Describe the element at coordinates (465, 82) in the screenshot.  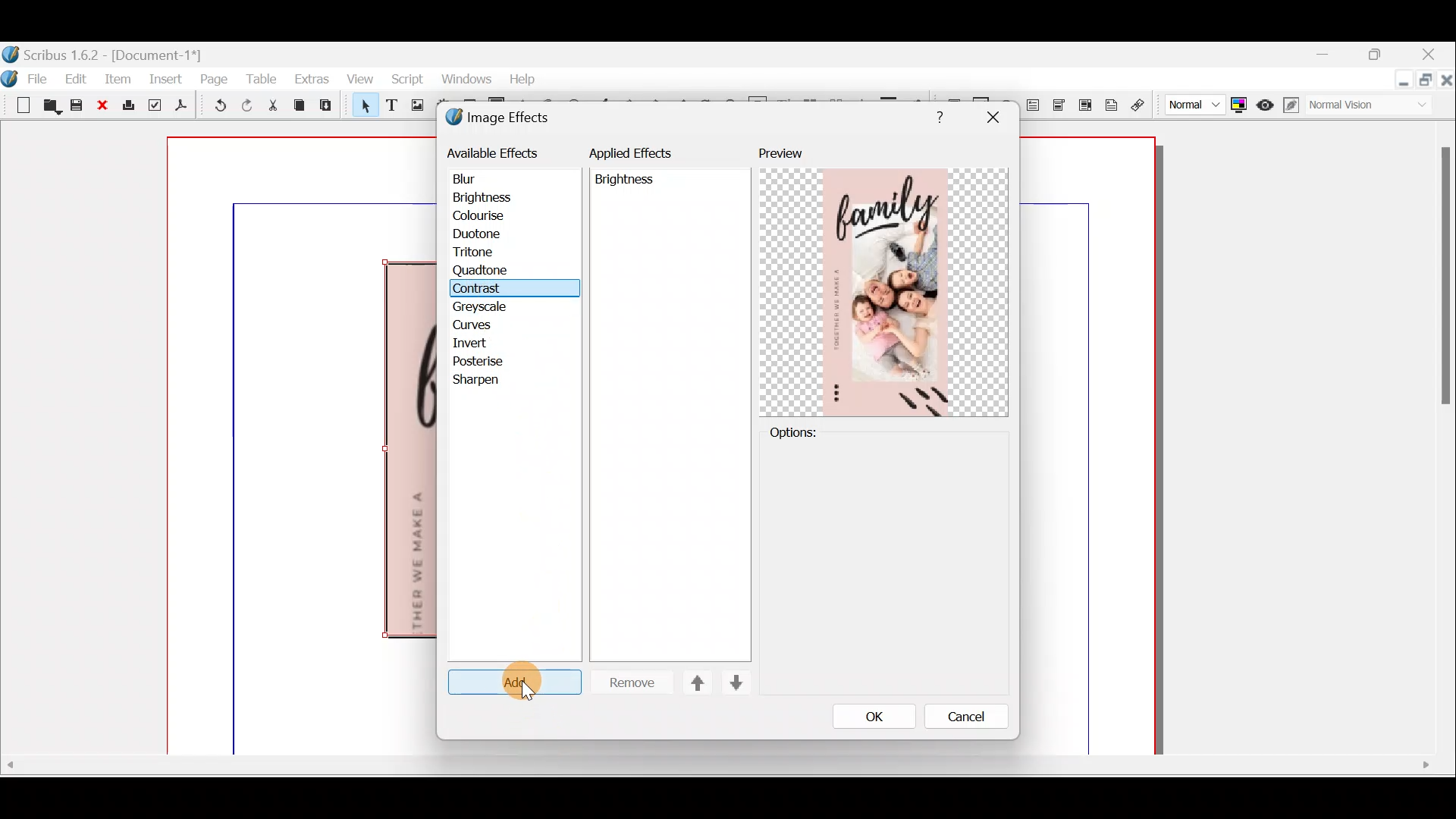
I see `Windows` at that location.